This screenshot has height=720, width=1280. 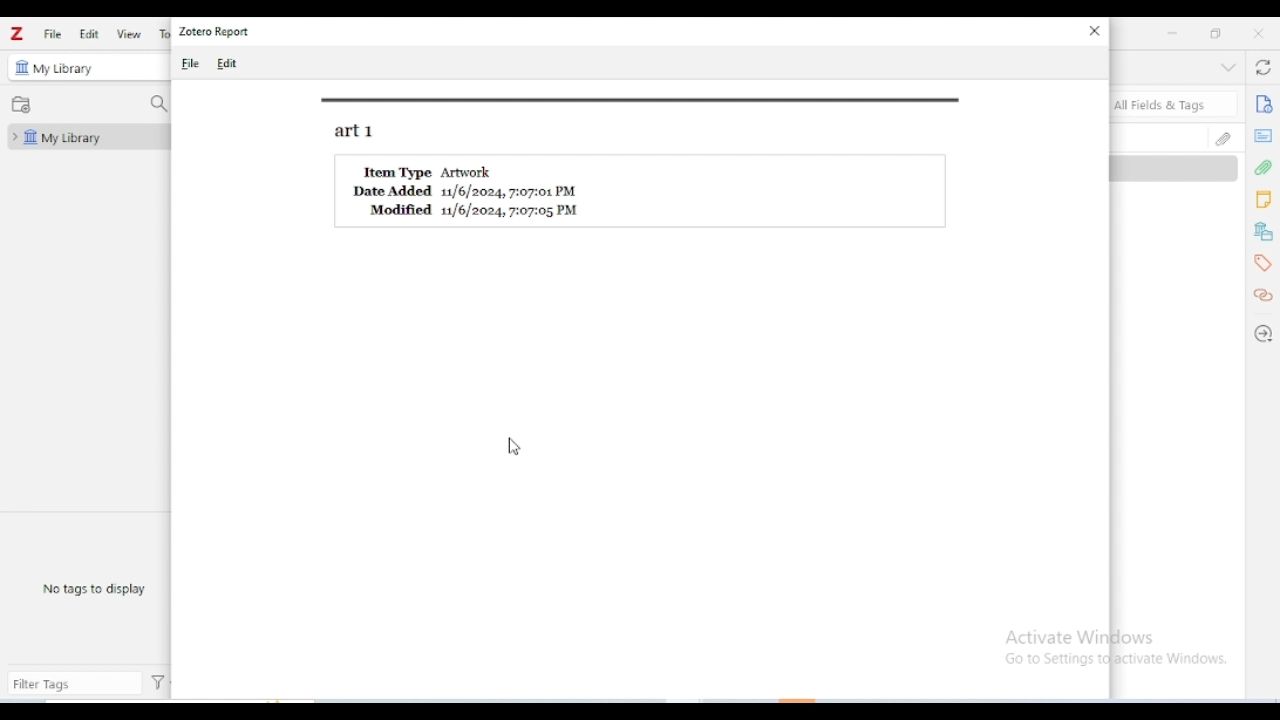 I want to click on notes, so click(x=1263, y=200).